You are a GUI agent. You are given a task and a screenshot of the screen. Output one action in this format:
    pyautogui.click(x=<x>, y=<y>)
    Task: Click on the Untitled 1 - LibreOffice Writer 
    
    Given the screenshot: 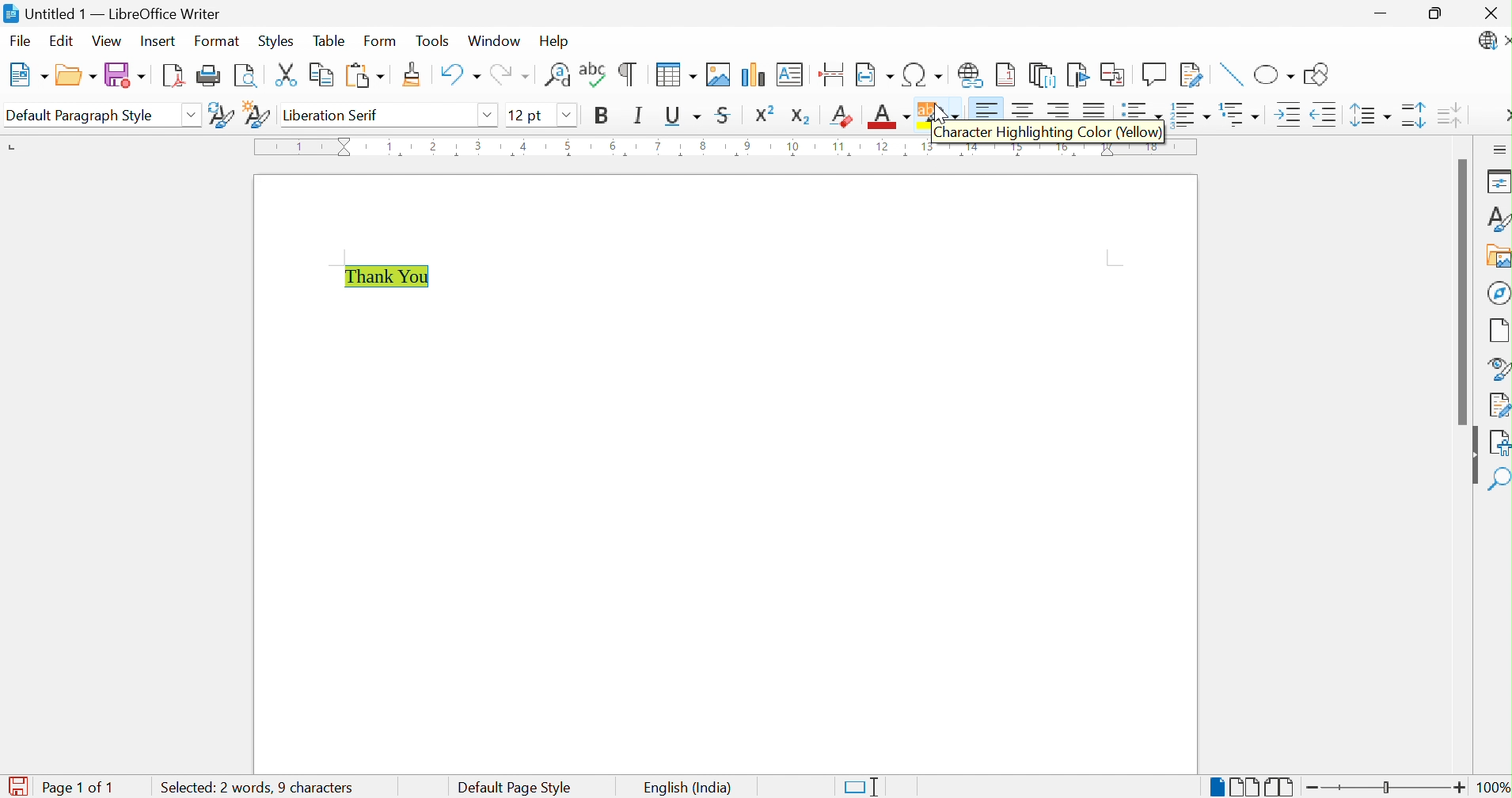 What is the action you would take?
    pyautogui.click(x=116, y=13)
    